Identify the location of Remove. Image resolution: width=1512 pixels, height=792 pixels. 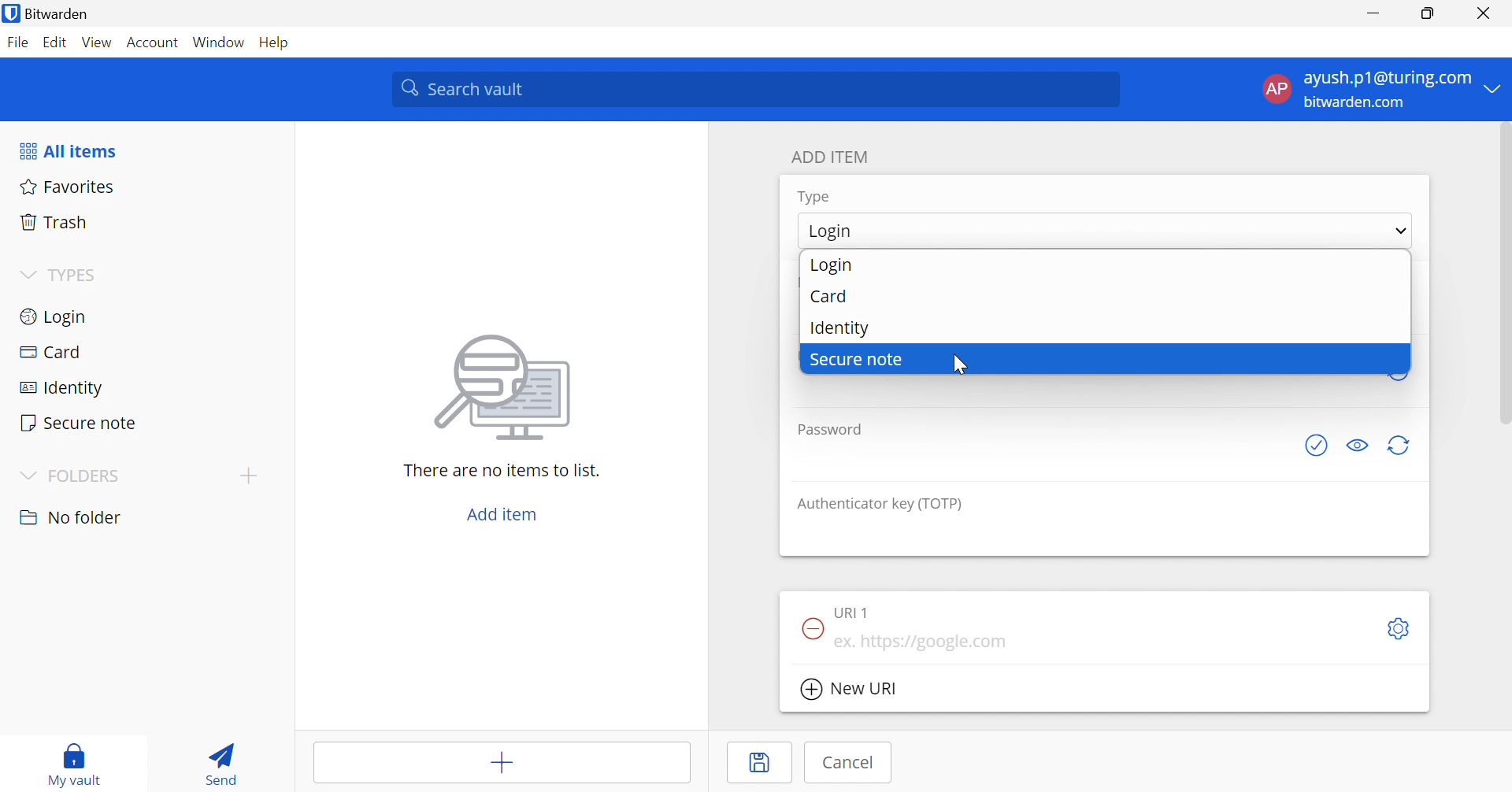
(814, 629).